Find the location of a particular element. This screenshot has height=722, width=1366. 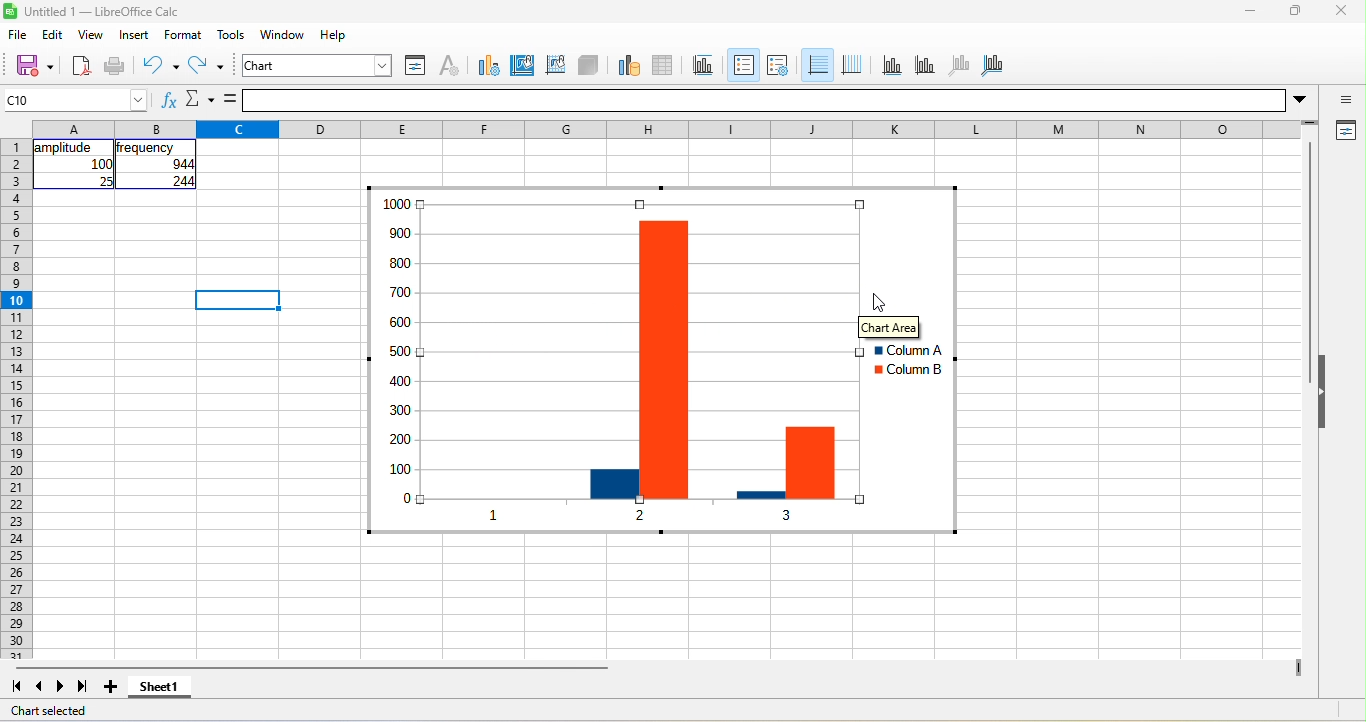

data table is located at coordinates (670, 63).